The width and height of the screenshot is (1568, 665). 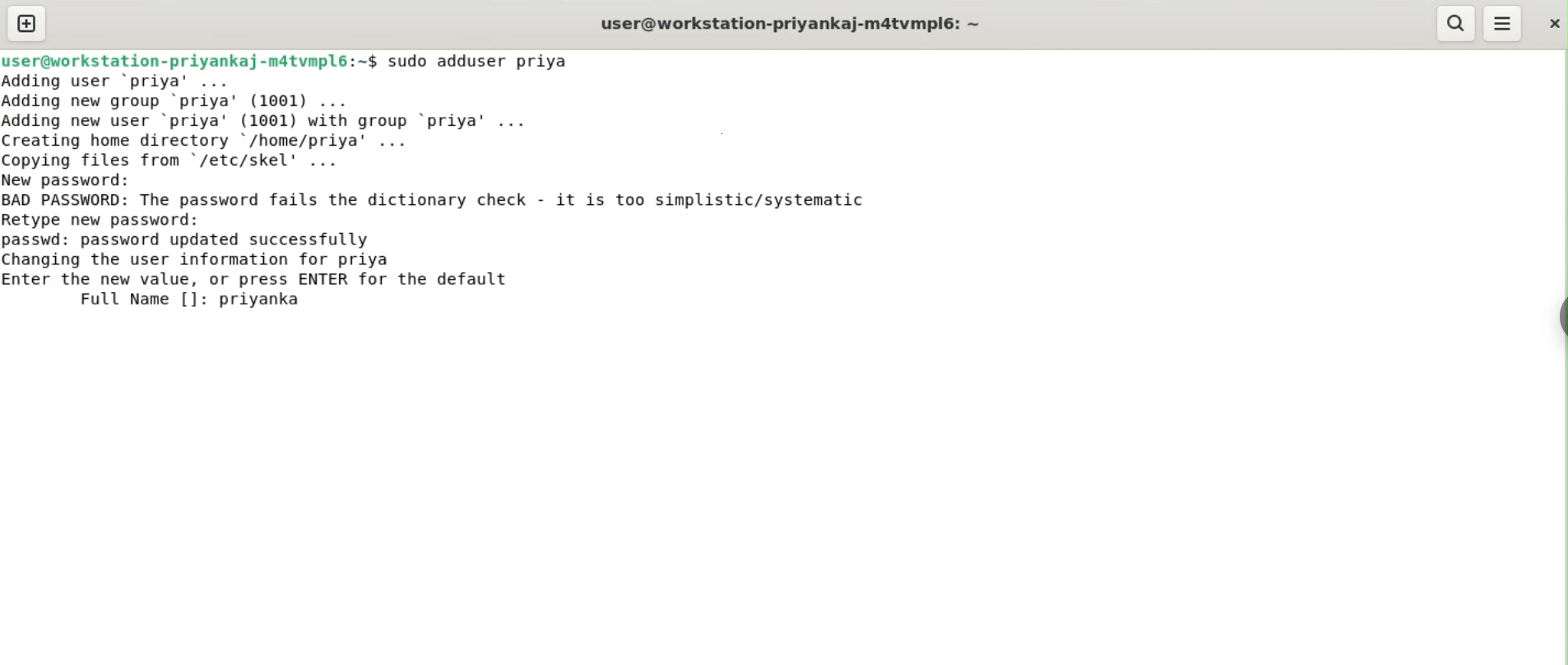 What do you see at coordinates (264, 299) in the screenshot?
I see `priyanka` at bounding box center [264, 299].